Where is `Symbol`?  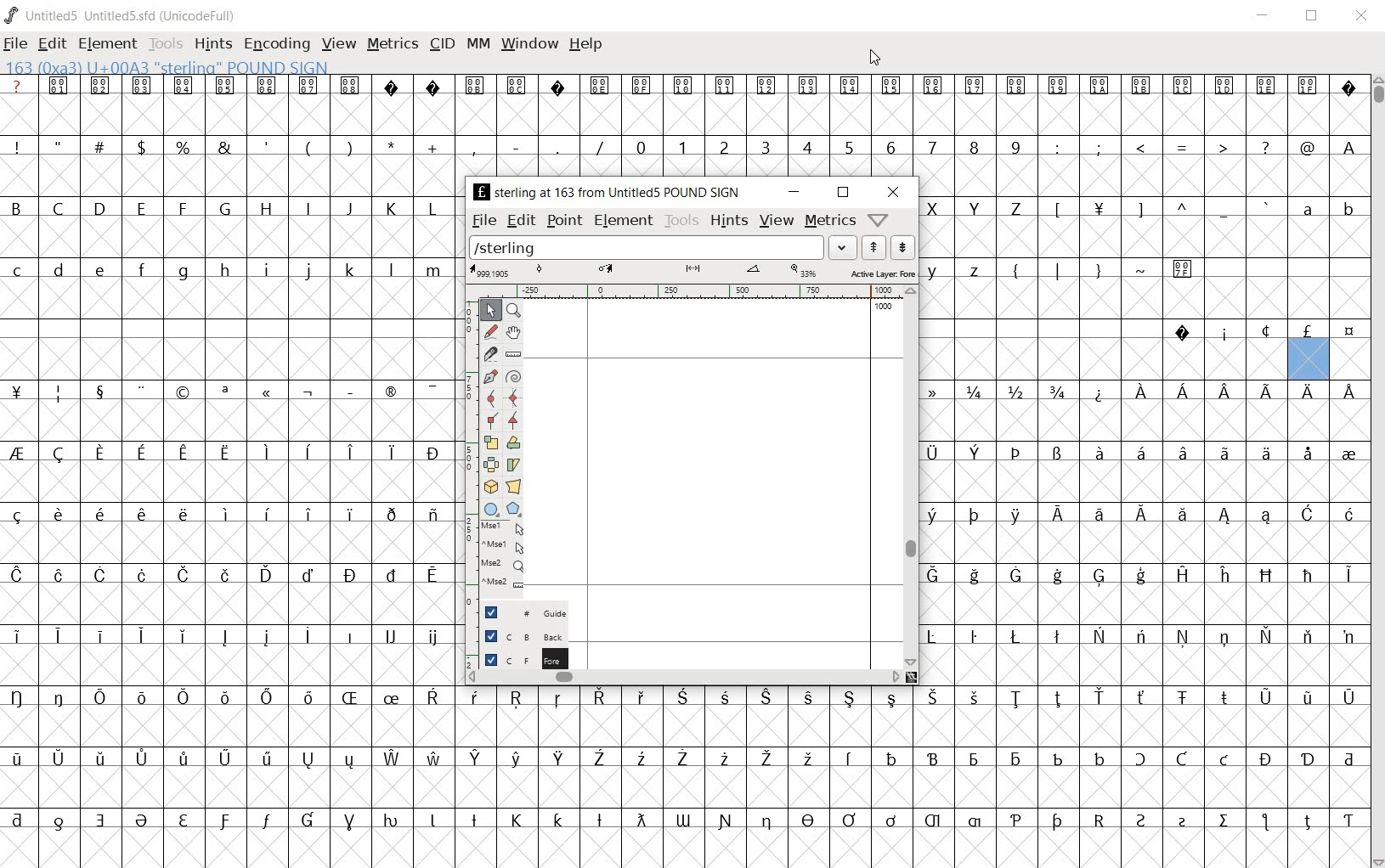
Symbol is located at coordinates (1015, 758).